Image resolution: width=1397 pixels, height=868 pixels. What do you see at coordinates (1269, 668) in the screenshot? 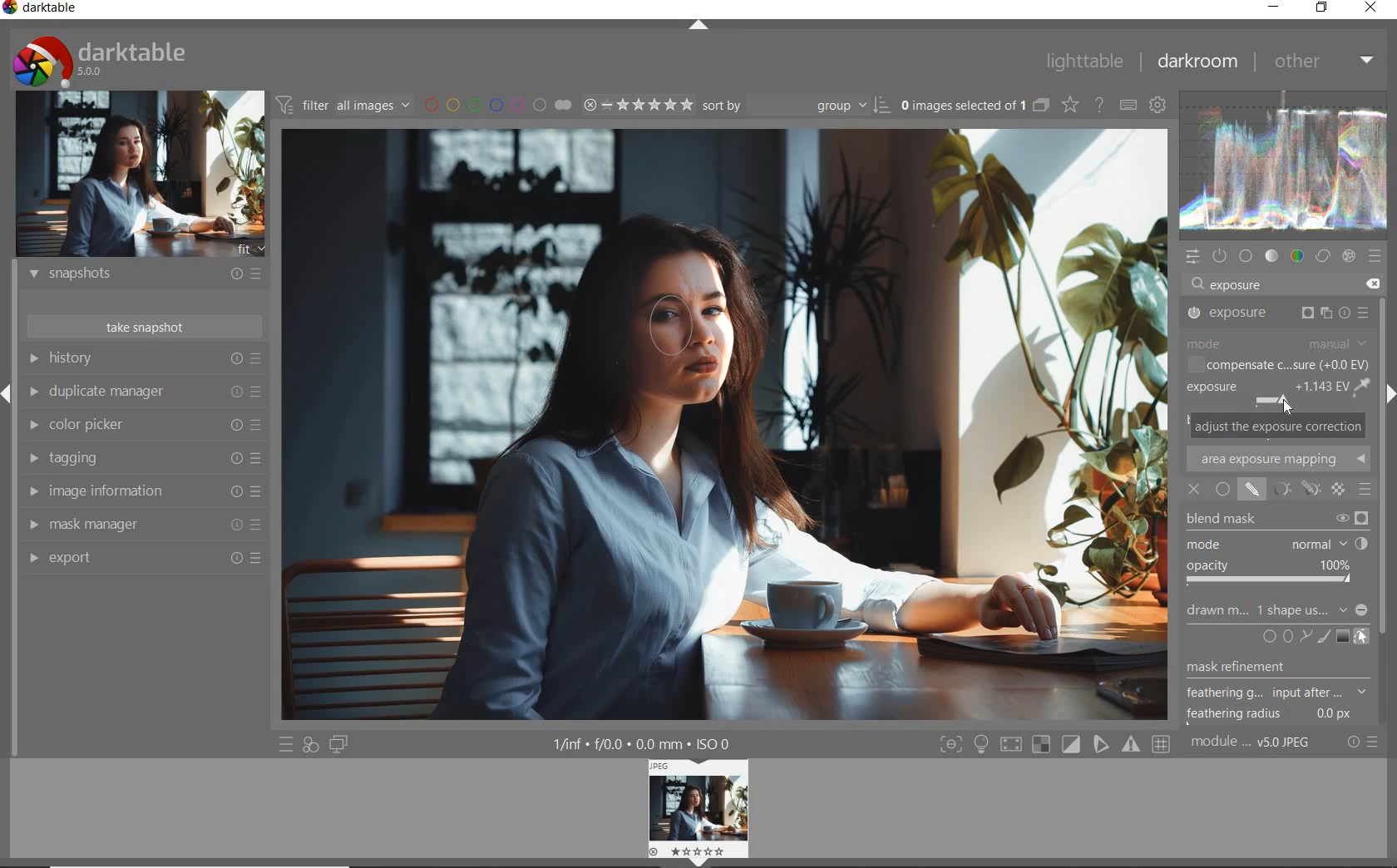
I see `mask refinement` at bounding box center [1269, 668].